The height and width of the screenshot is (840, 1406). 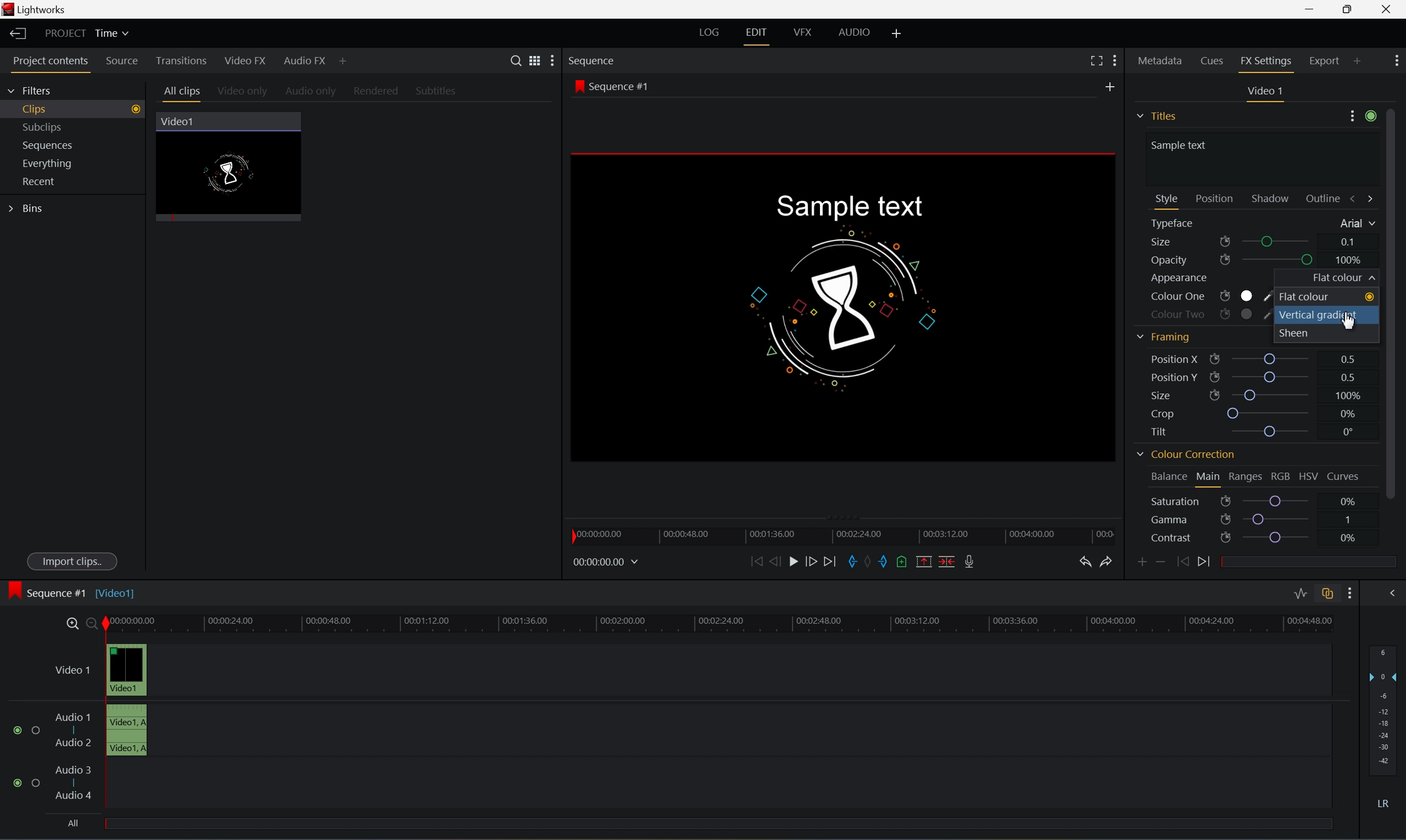 What do you see at coordinates (1345, 9) in the screenshot?
I see `restore down` at bounding box center [1345, 9].